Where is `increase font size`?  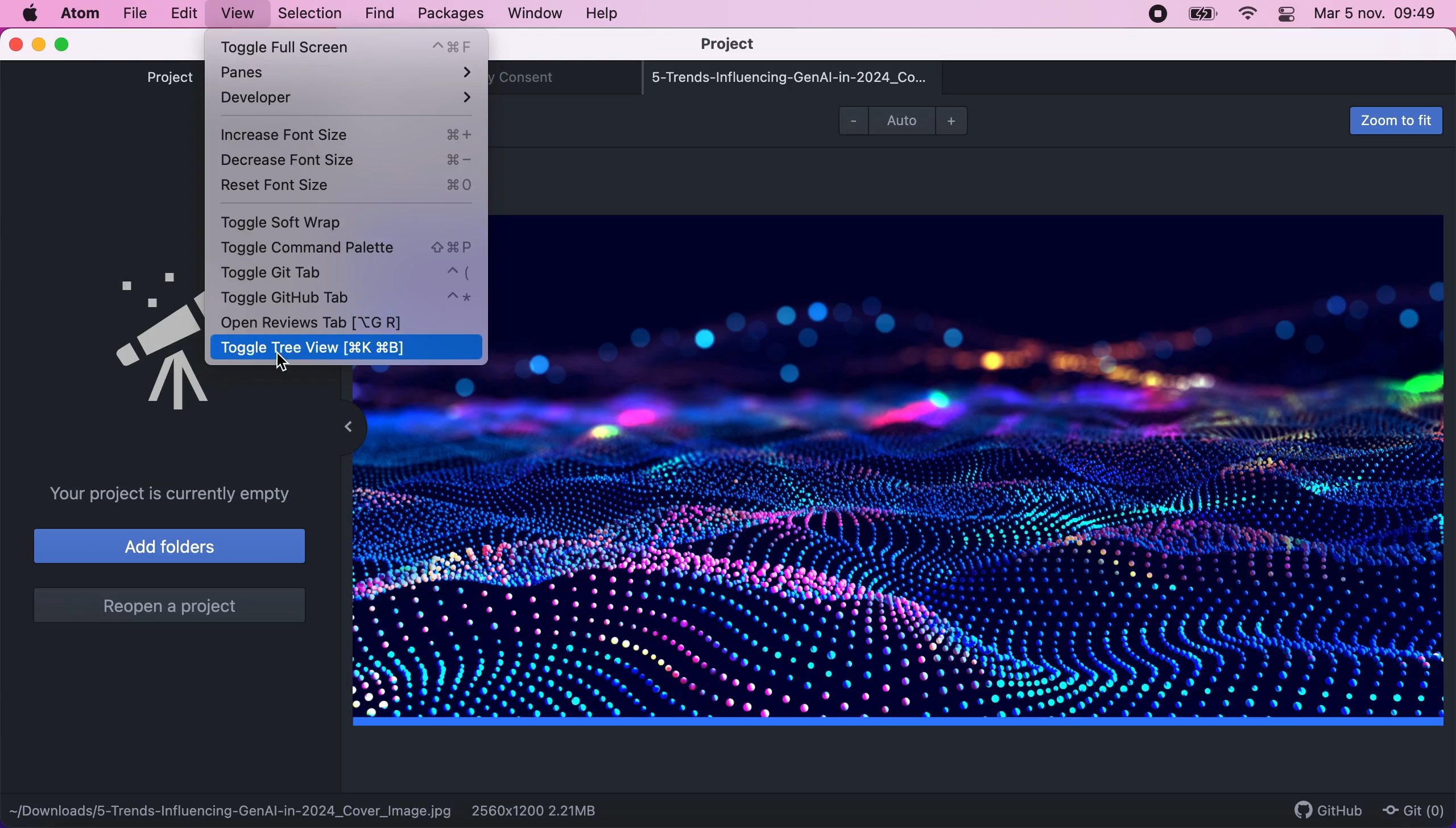
increase font size is located at coordinates (349, 134).